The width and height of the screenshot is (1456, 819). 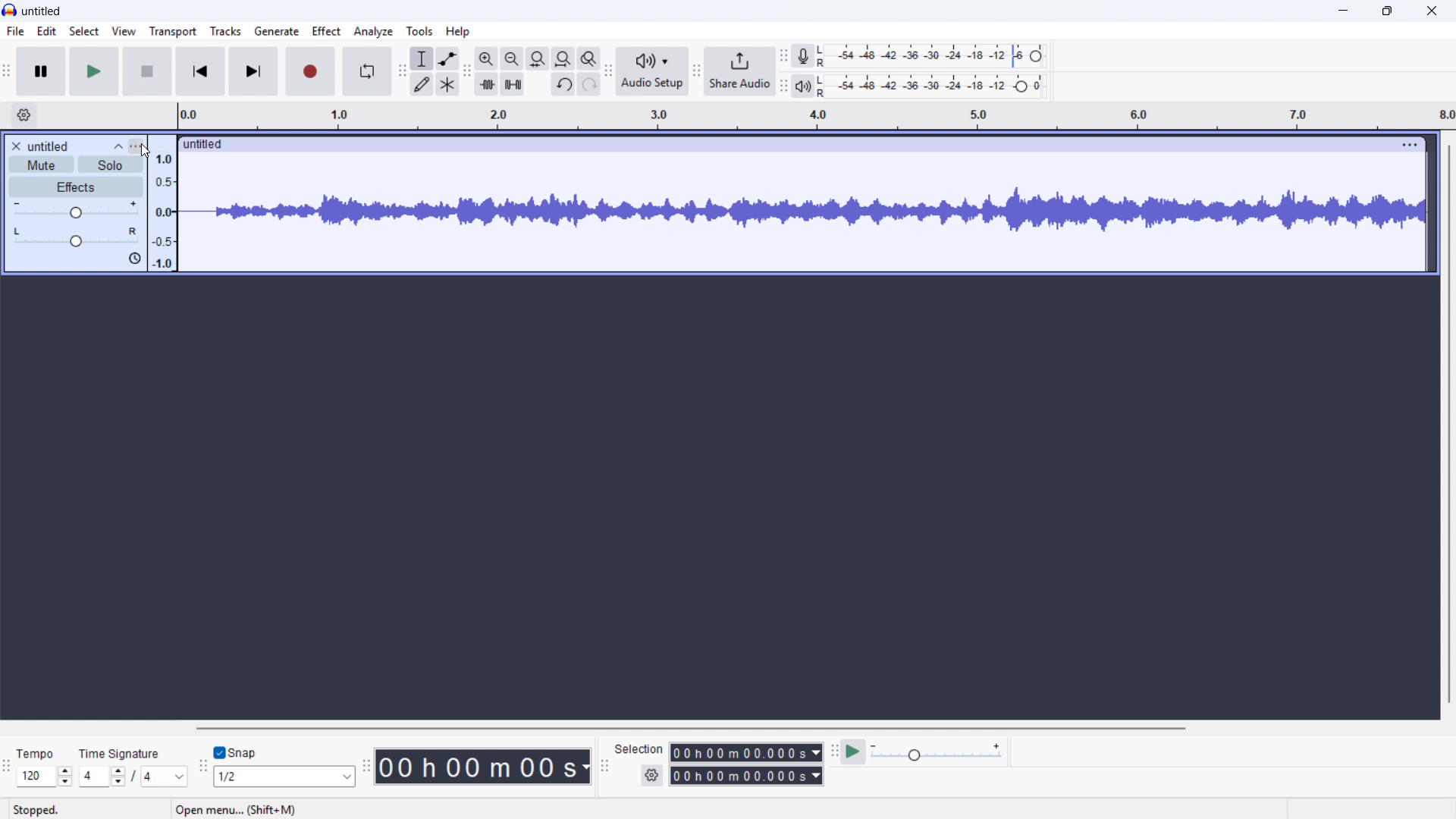 I want to click on Fit project to width , so click(x=538, y=59).